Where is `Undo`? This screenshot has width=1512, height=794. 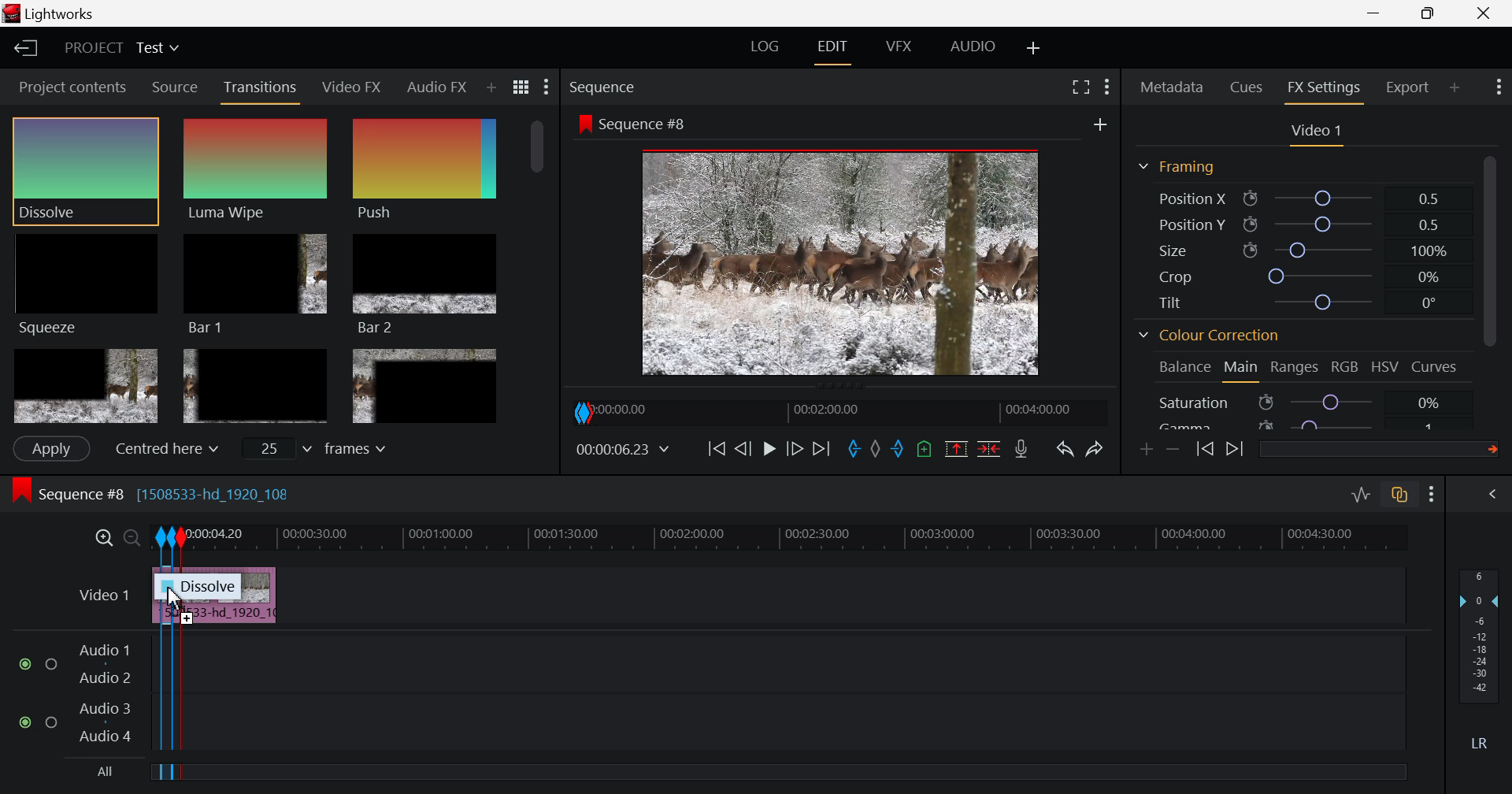
Undo is located at coordinates (1063, 447).